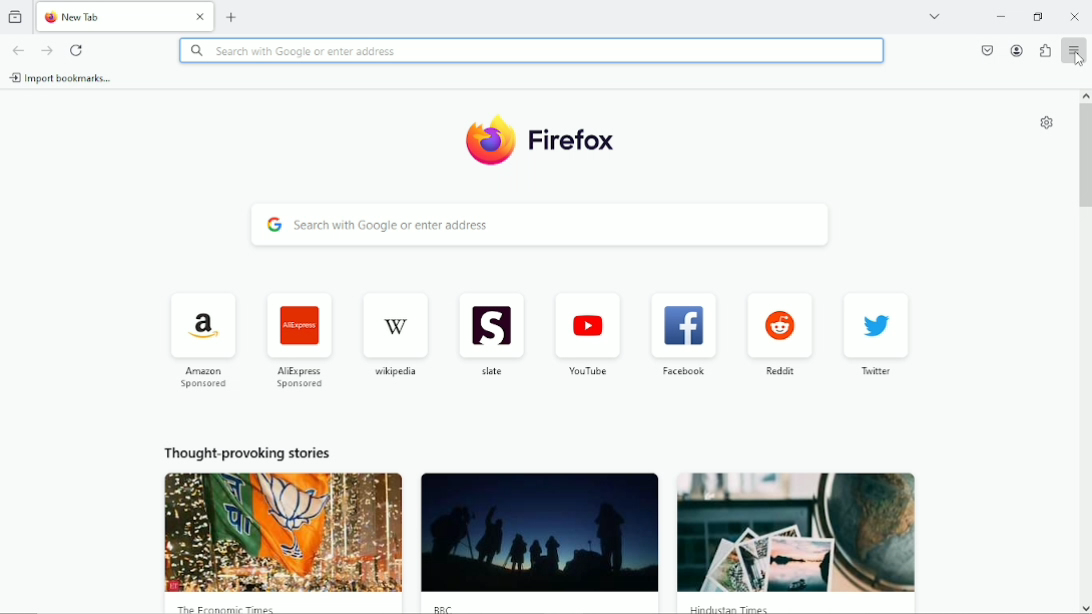  I want to click on Cursor, so click(1078, 60).